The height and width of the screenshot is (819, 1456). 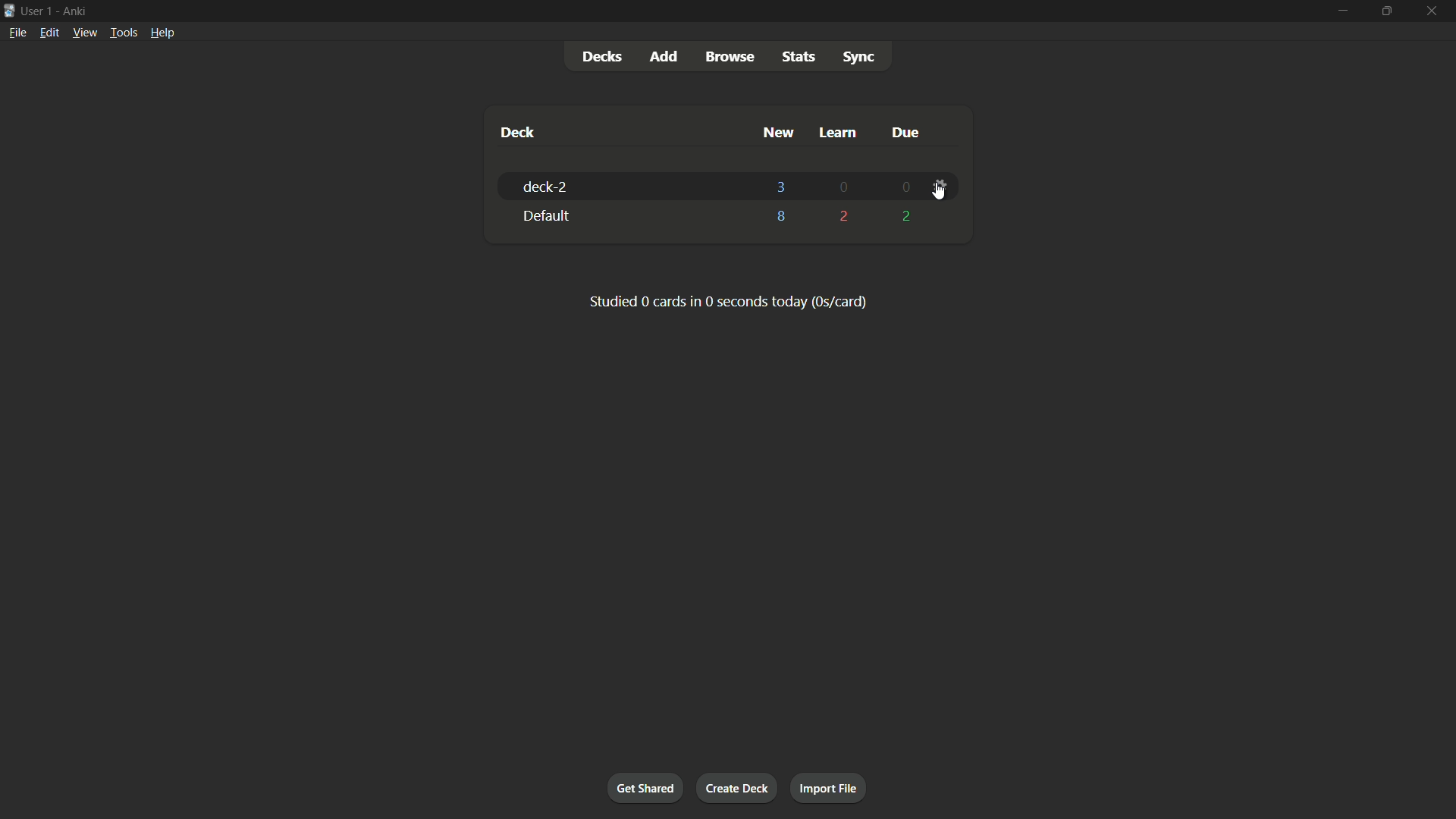 I want to click on create deck, so click(x=739, y=789).